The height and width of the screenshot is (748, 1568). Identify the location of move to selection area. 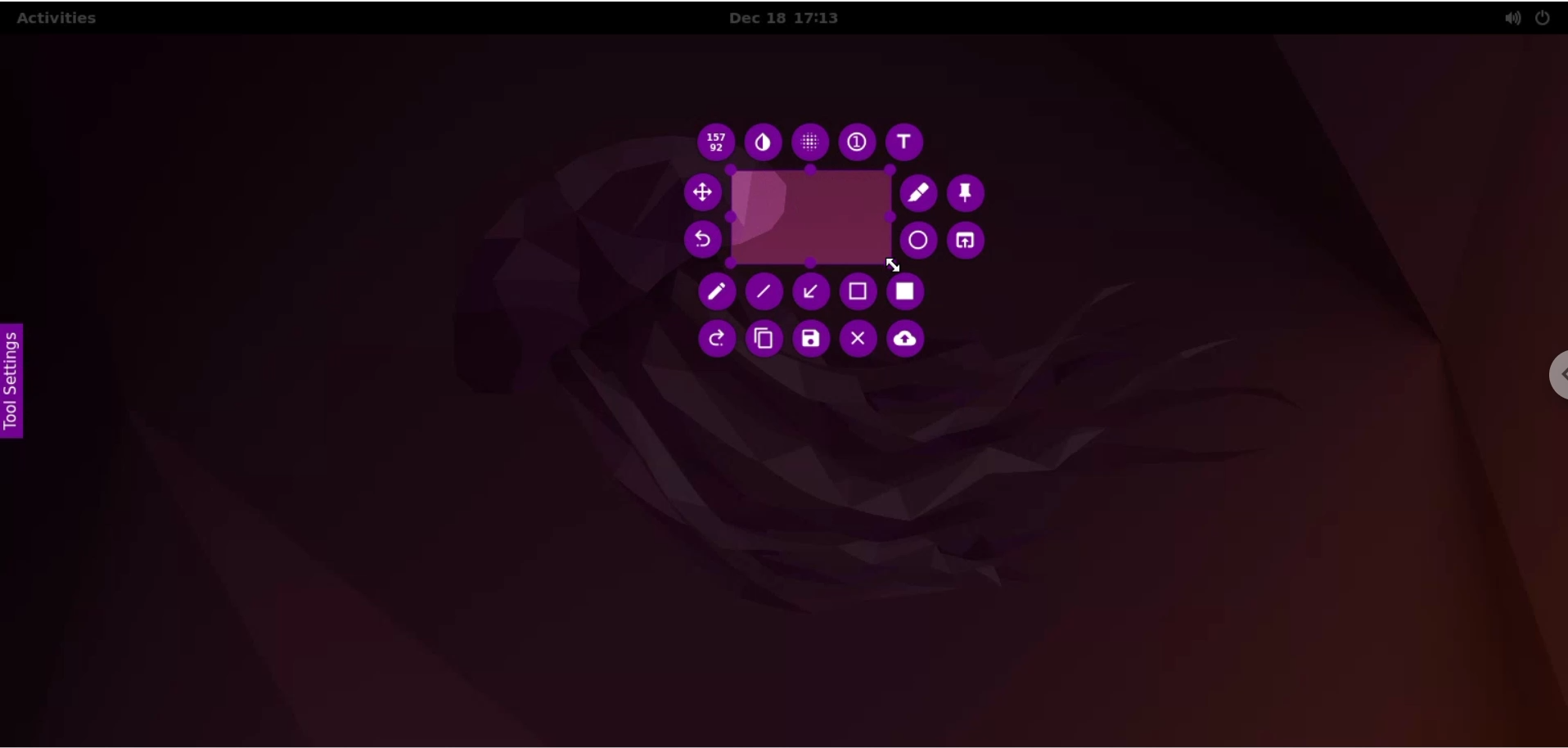
(705, 192).